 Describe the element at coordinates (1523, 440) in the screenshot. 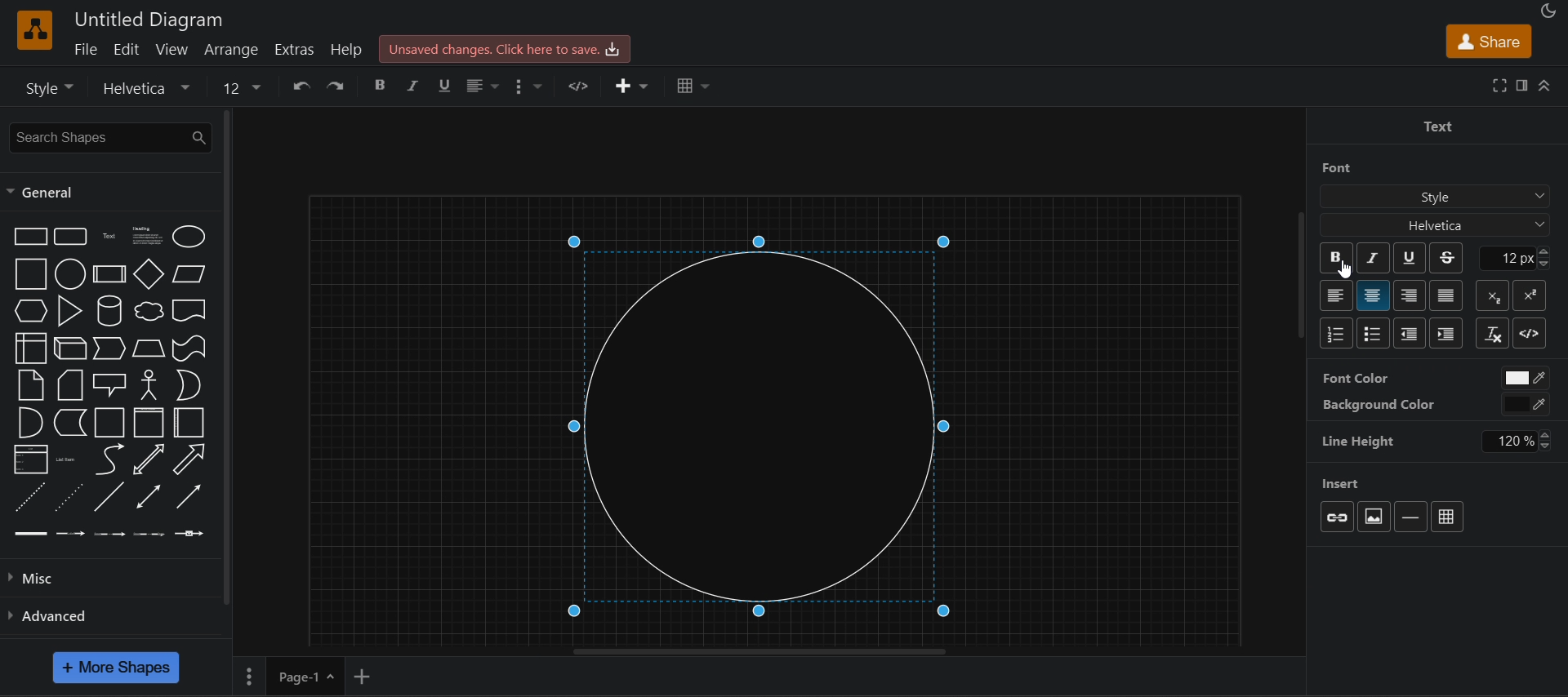

I see `120%` at that location.